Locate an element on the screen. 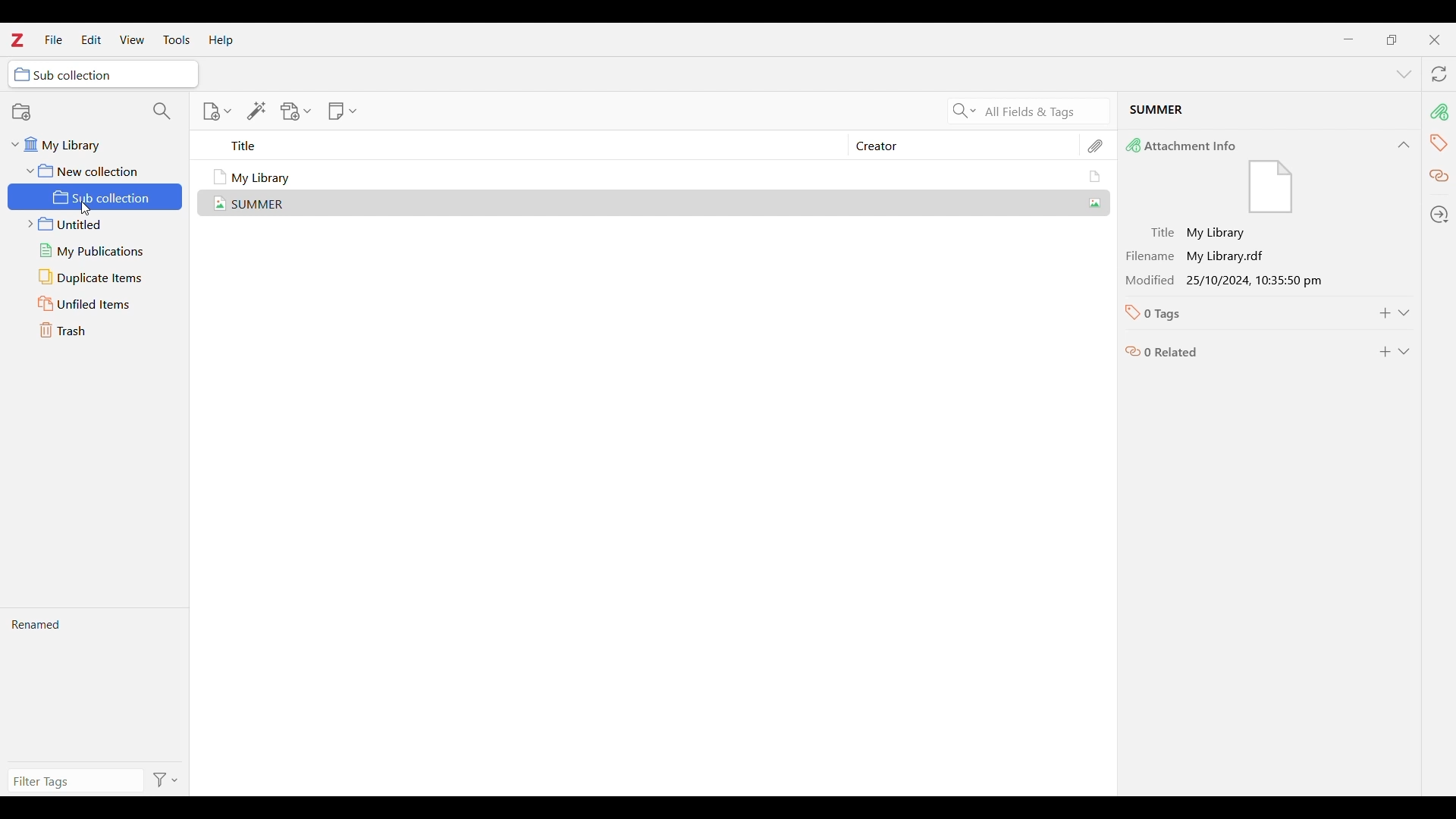 This screenshot has width=1456, height=819. Creator  is located at coordinates (956, 146).